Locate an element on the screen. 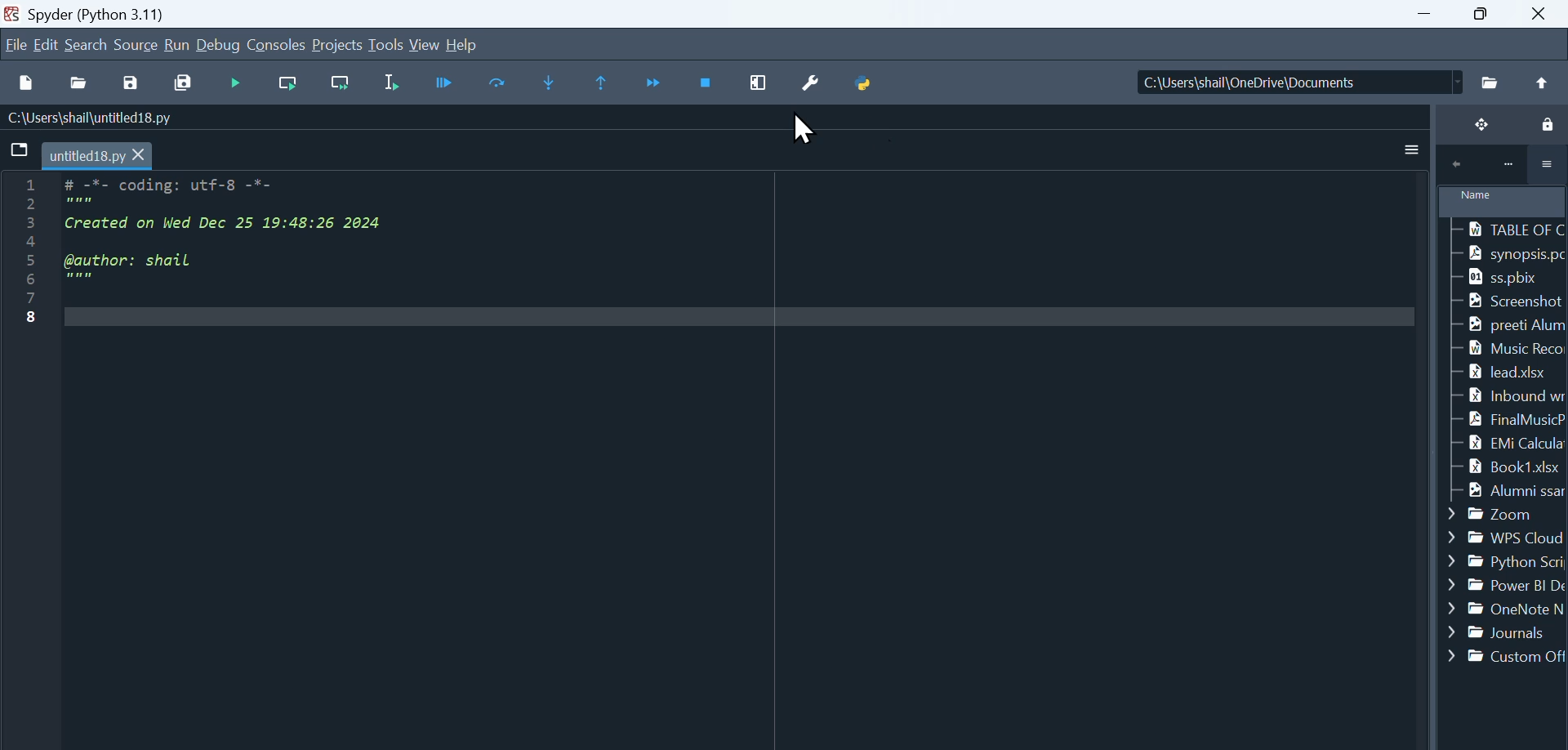 Image resolution: width=1568 pixels, height=750 pixels. Tools is located at coordinates (388, 45).